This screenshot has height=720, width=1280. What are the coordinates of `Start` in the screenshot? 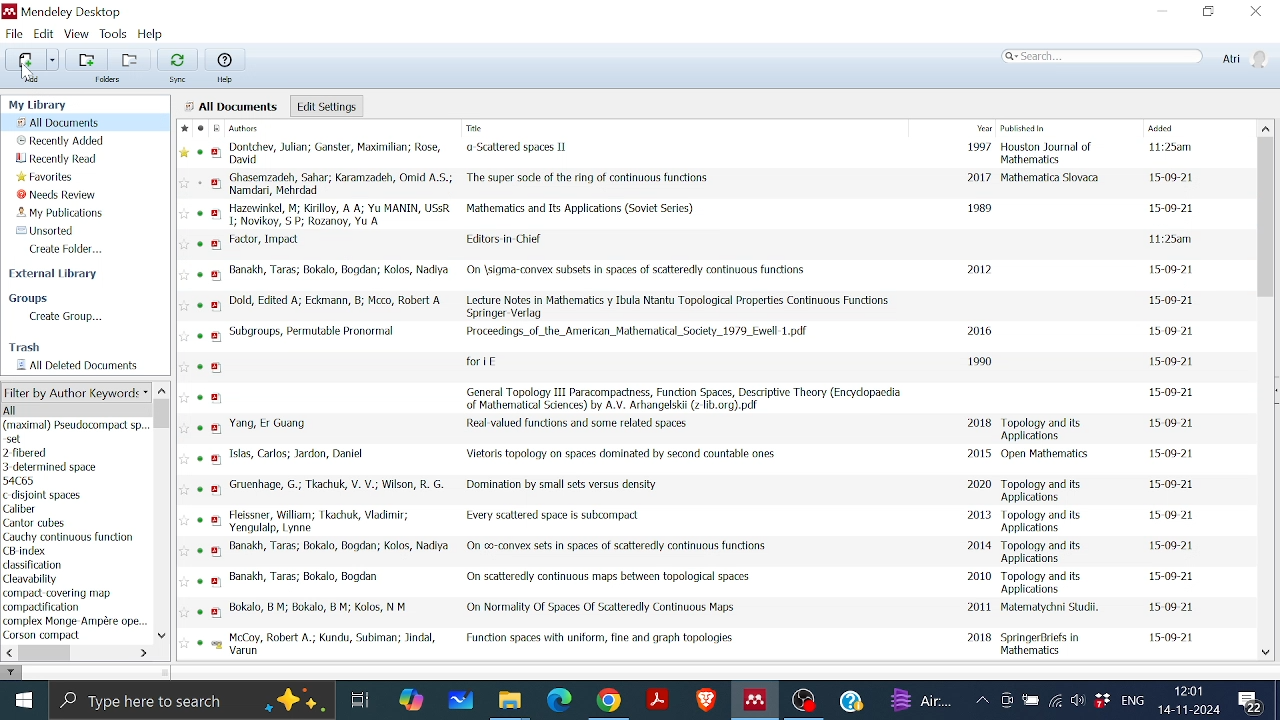 It's located at (22, 699).